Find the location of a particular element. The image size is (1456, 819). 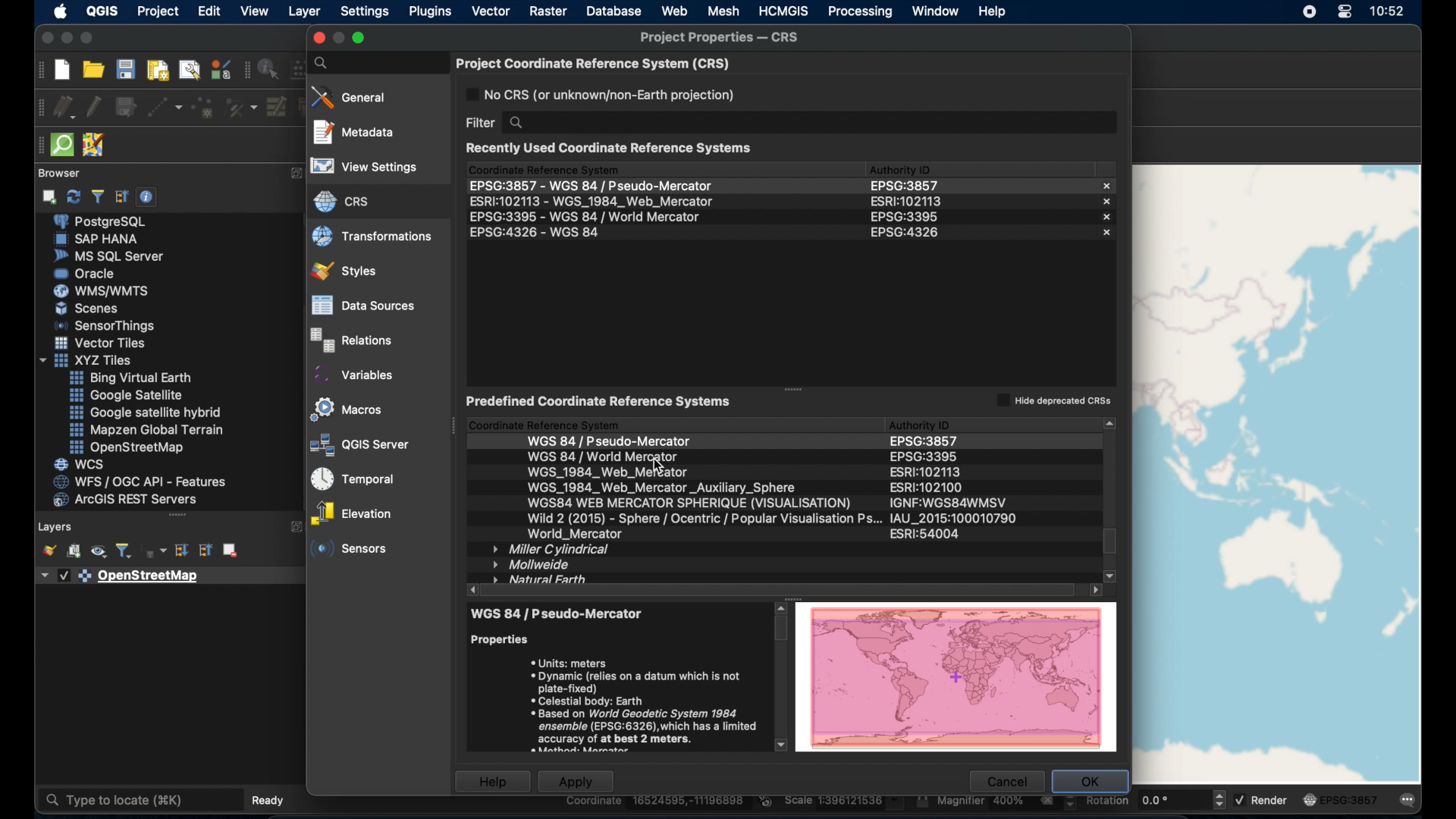

natural earth is located at coordinates (541, 578).